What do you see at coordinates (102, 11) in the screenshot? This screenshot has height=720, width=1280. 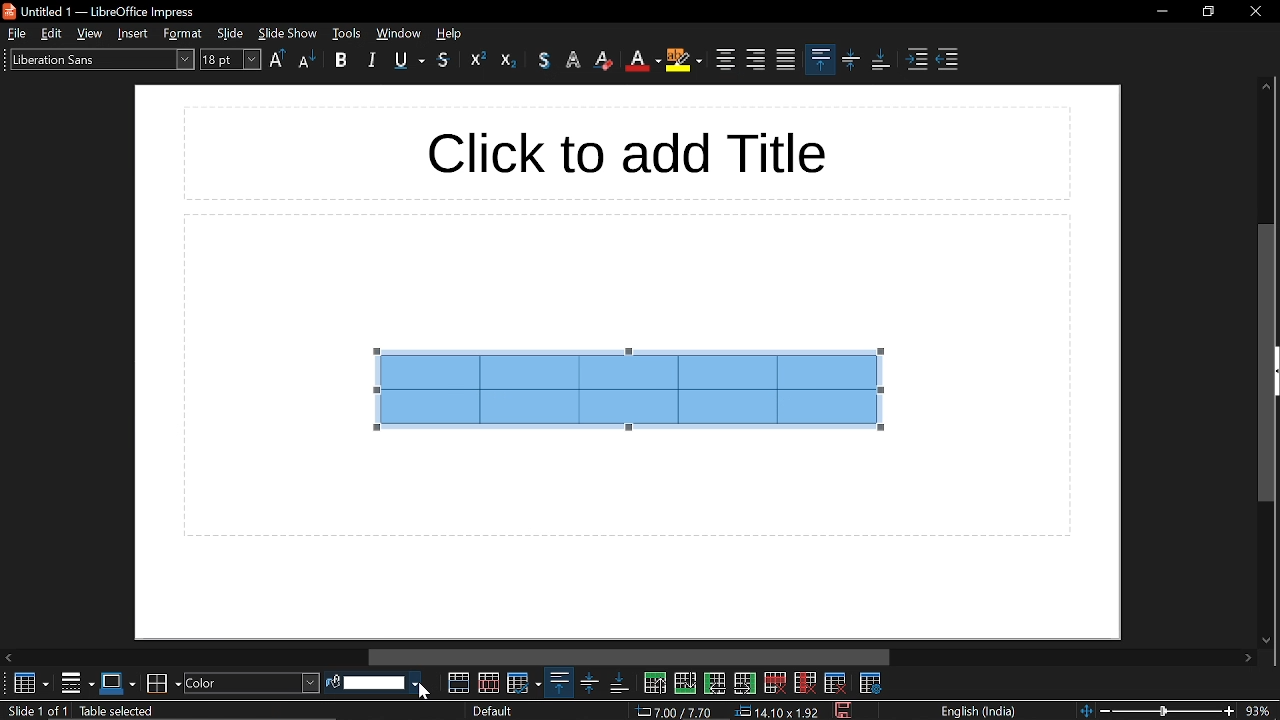 I see `untitled 1- libreoffice impress` at bounding box center [102, 11].